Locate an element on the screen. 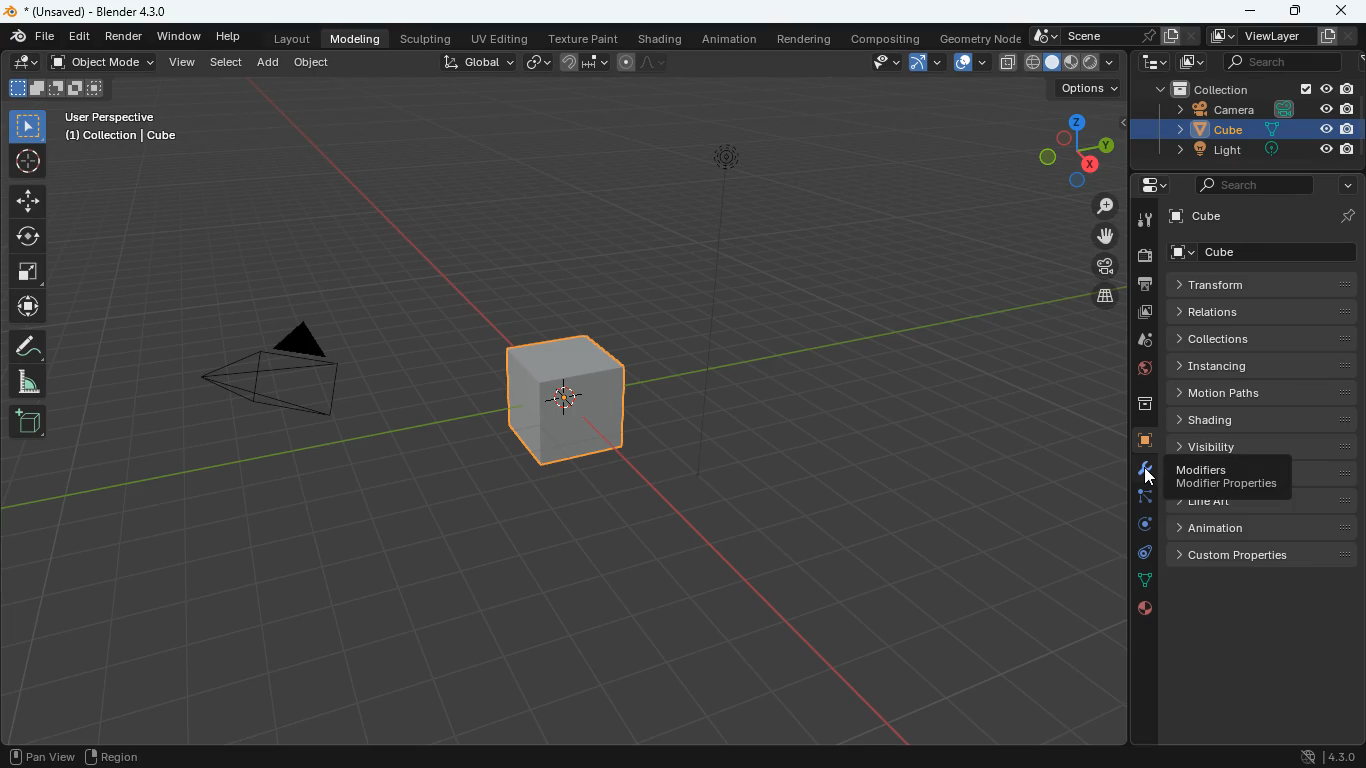 This screenshot has height=768, width=1366. maximize is located at coordinates (1293, 9).